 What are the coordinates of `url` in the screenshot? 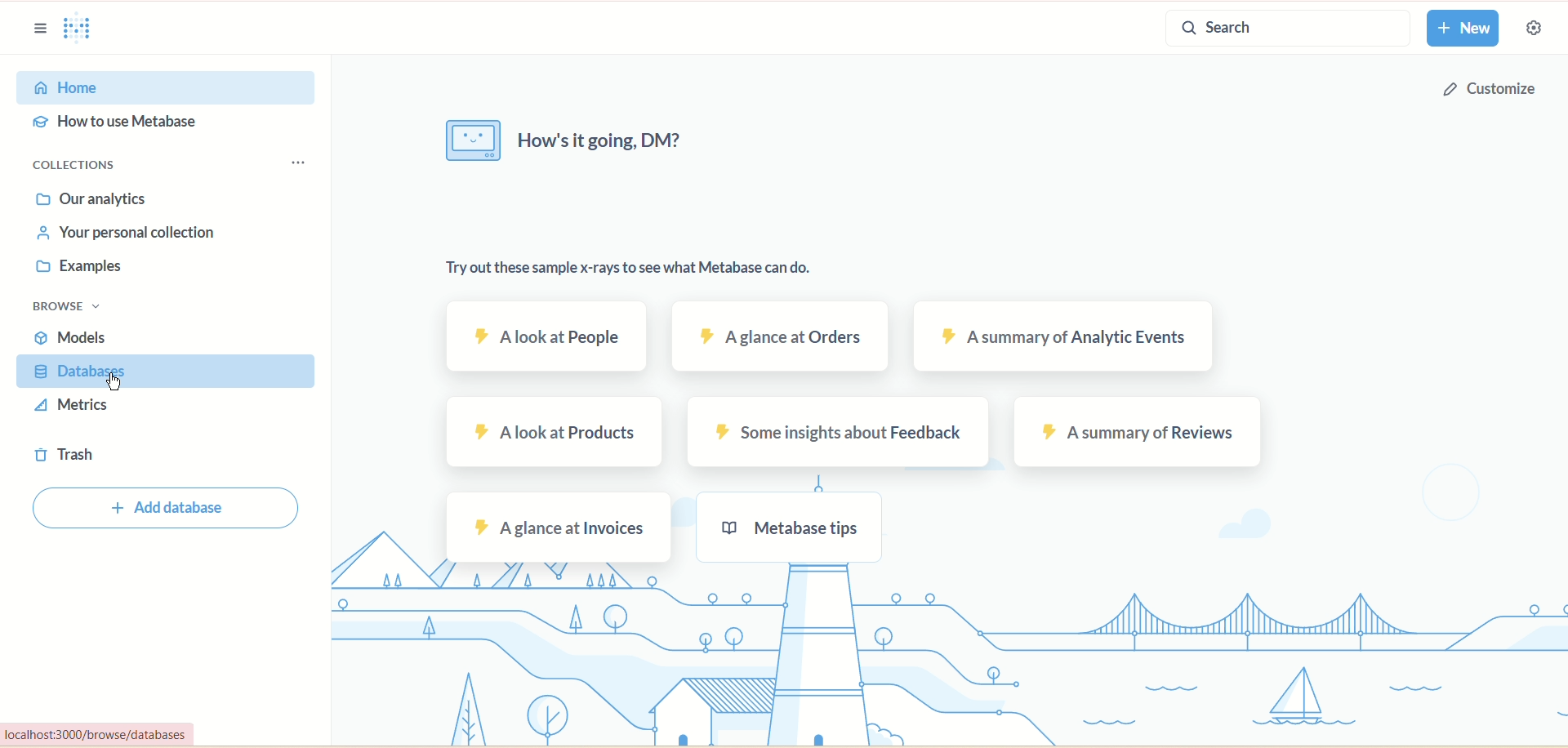 It's located at (117, 734).